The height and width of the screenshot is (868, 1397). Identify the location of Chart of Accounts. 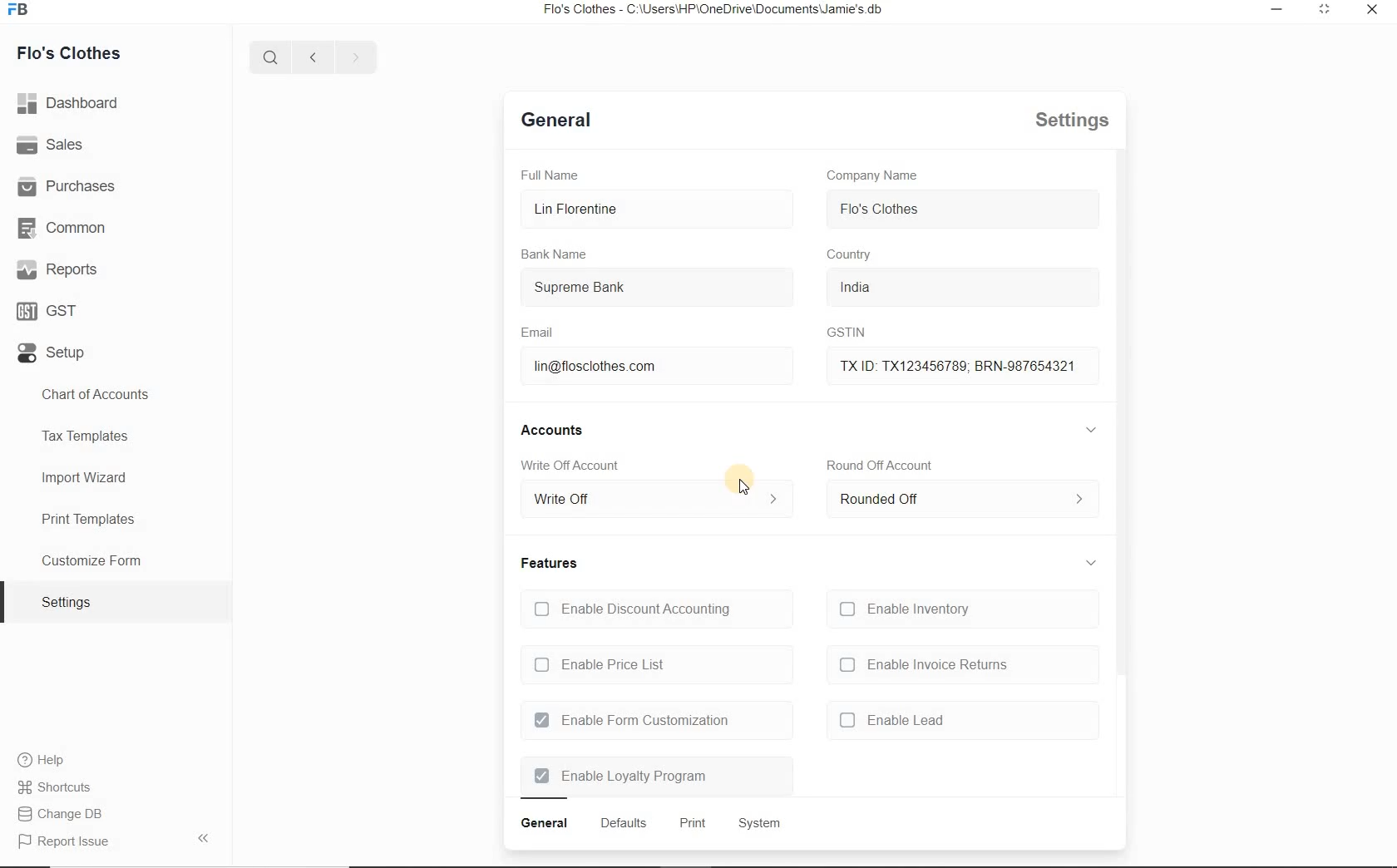
(102, 395).